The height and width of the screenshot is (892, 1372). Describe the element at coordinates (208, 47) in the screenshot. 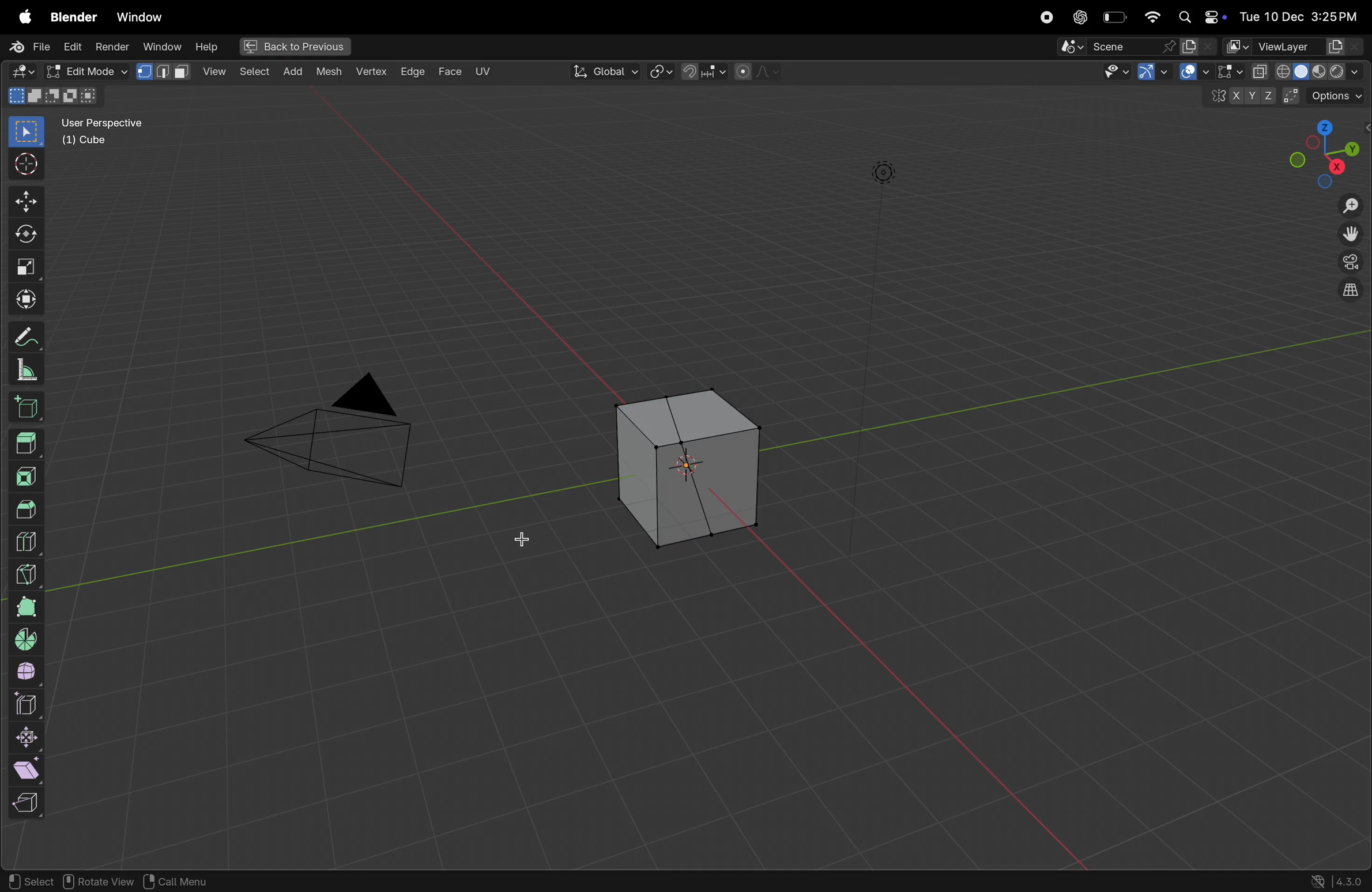

I see `Help` at that location.